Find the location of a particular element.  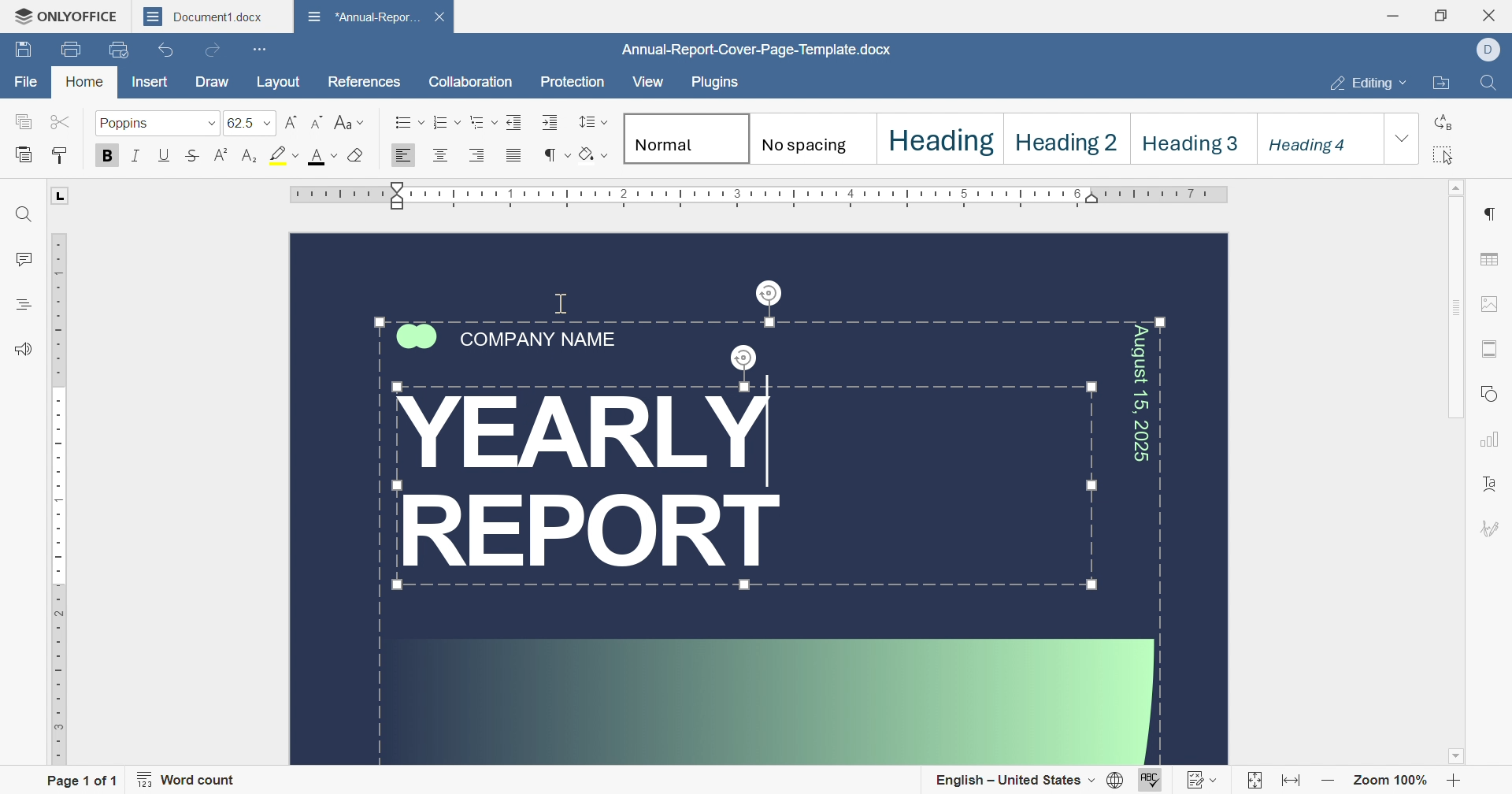

set document language is located at coordinates (1117, 781).